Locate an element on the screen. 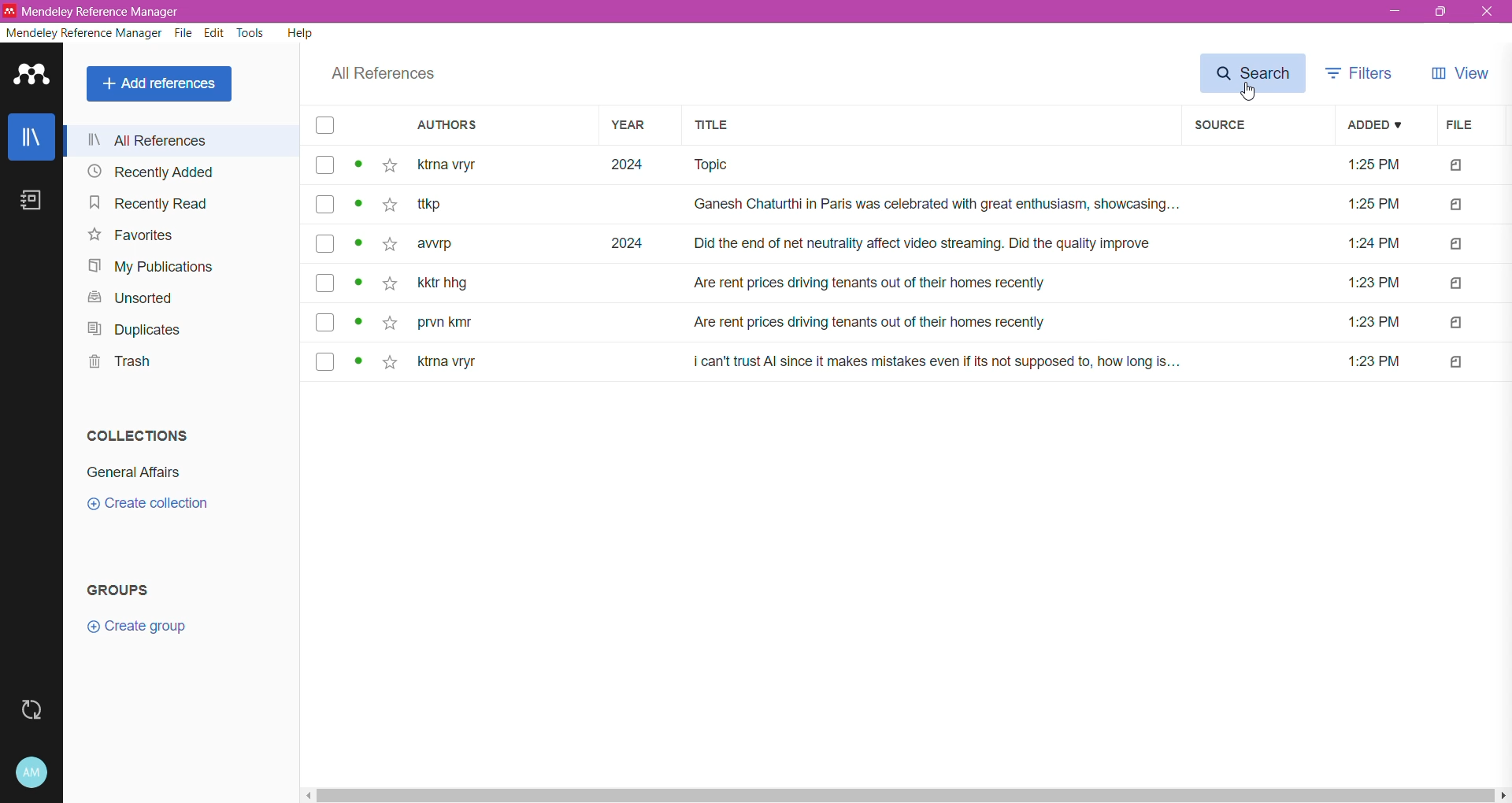 Image resolution: width=1512 pixels, height=803 pixels. file type is located at coordinates (1456, 284).